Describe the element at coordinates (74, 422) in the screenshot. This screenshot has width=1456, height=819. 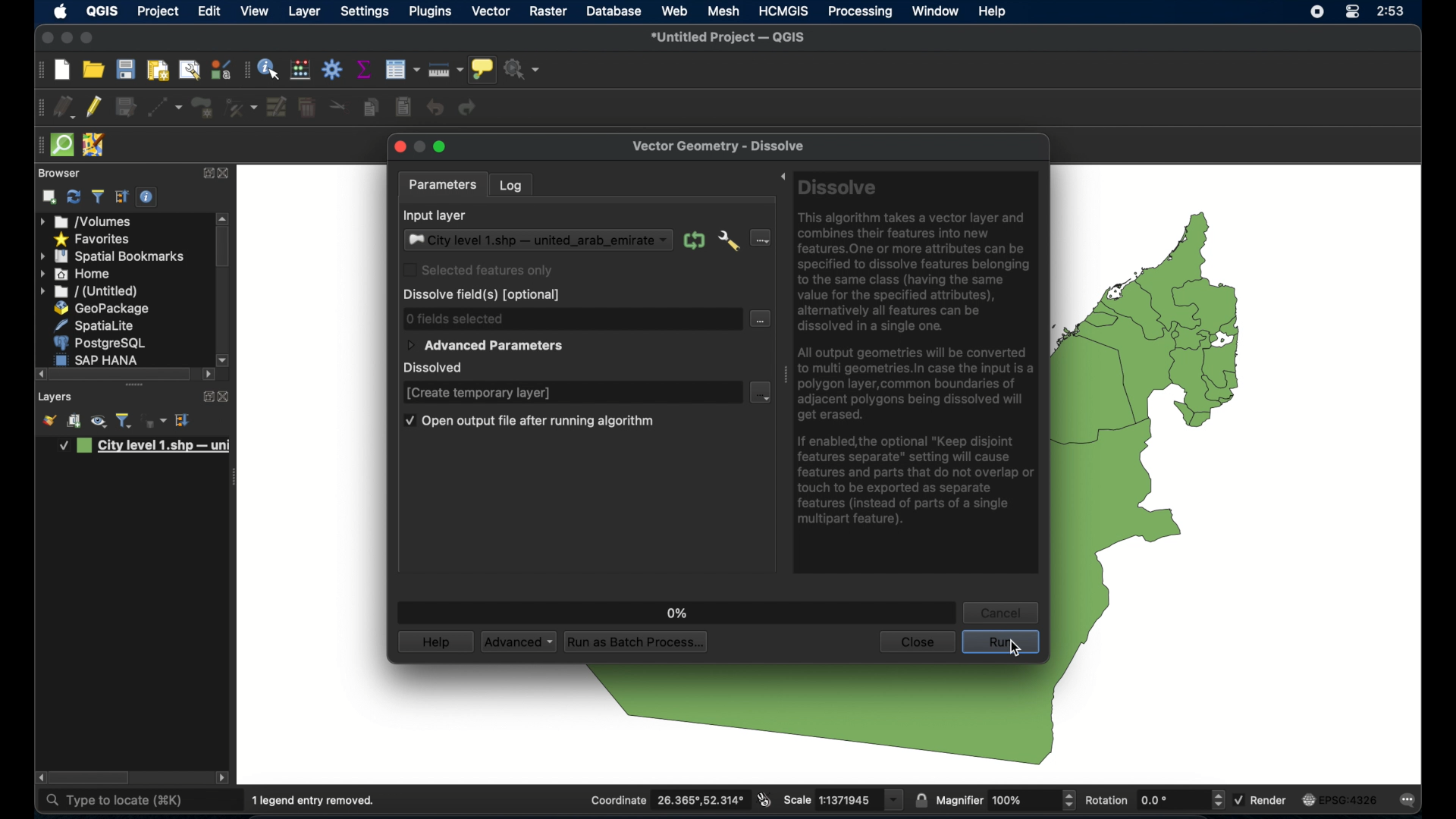
I see `add group` at that location.